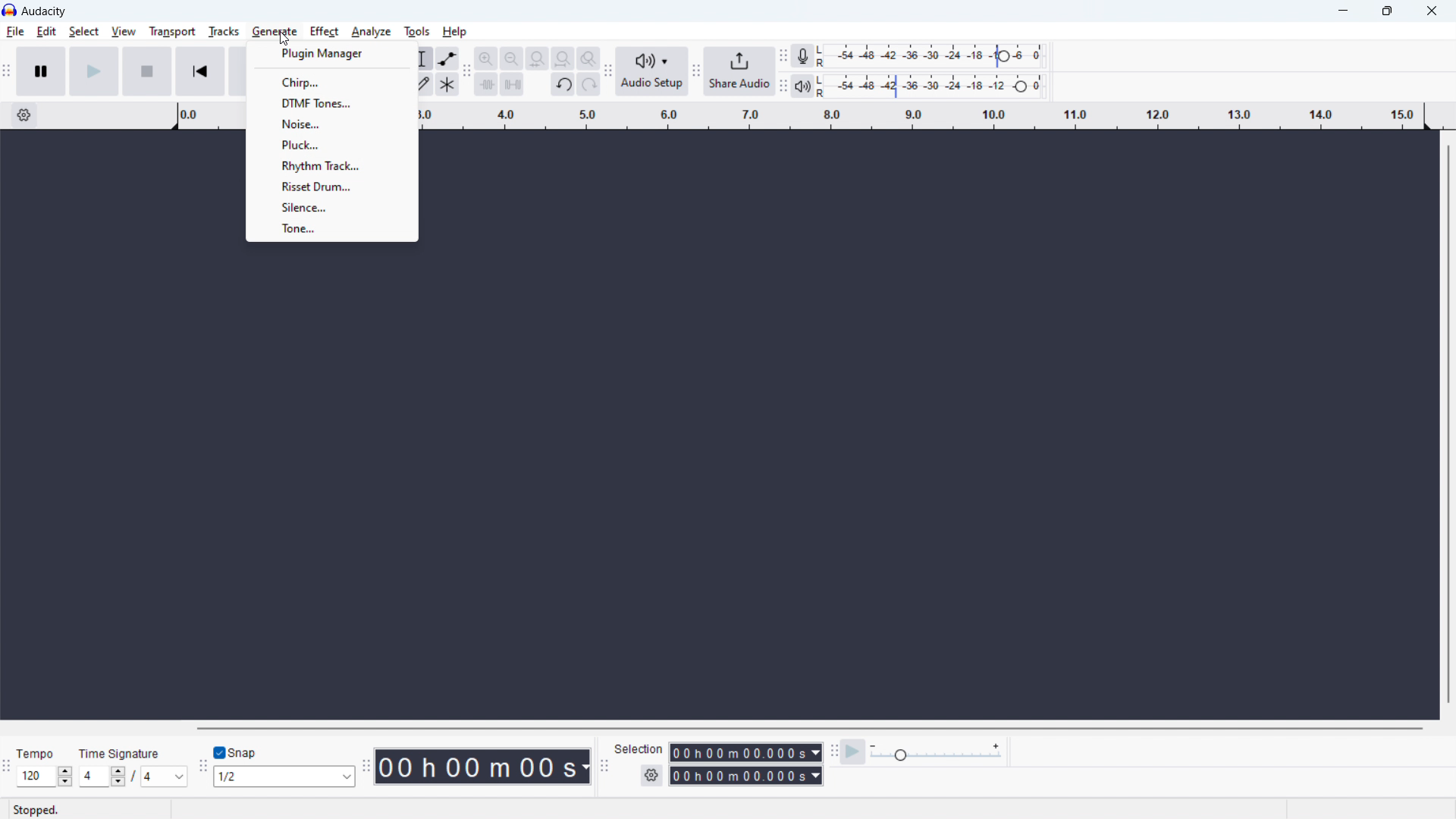 This screenshot has height=819, width=1456. What do you see at coordinates (62, 12) in the screenshot?
I see `title` at bounding box center [62, 12].